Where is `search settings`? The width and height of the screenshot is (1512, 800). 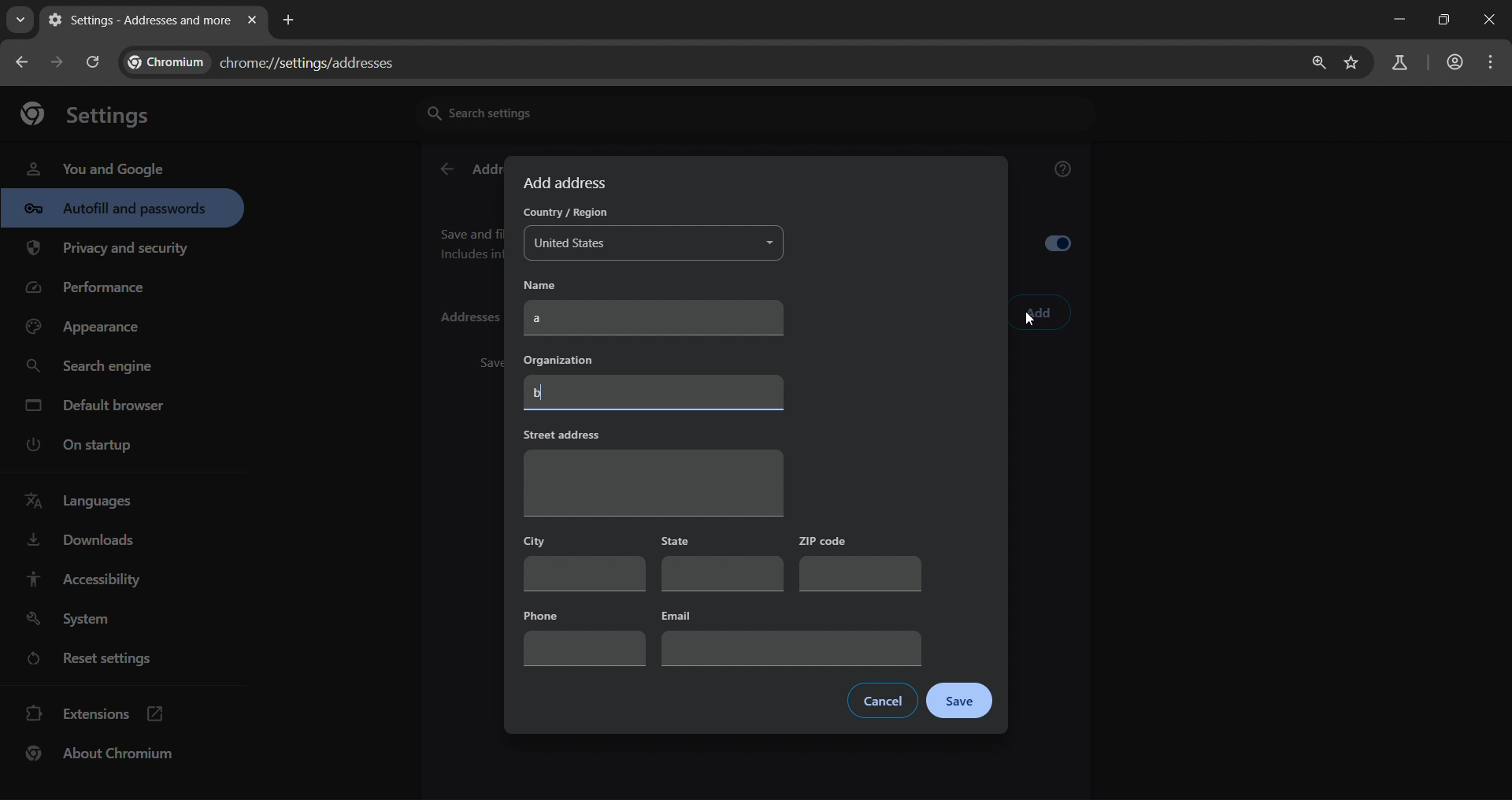
search settings is located at coordinates (563, 112).